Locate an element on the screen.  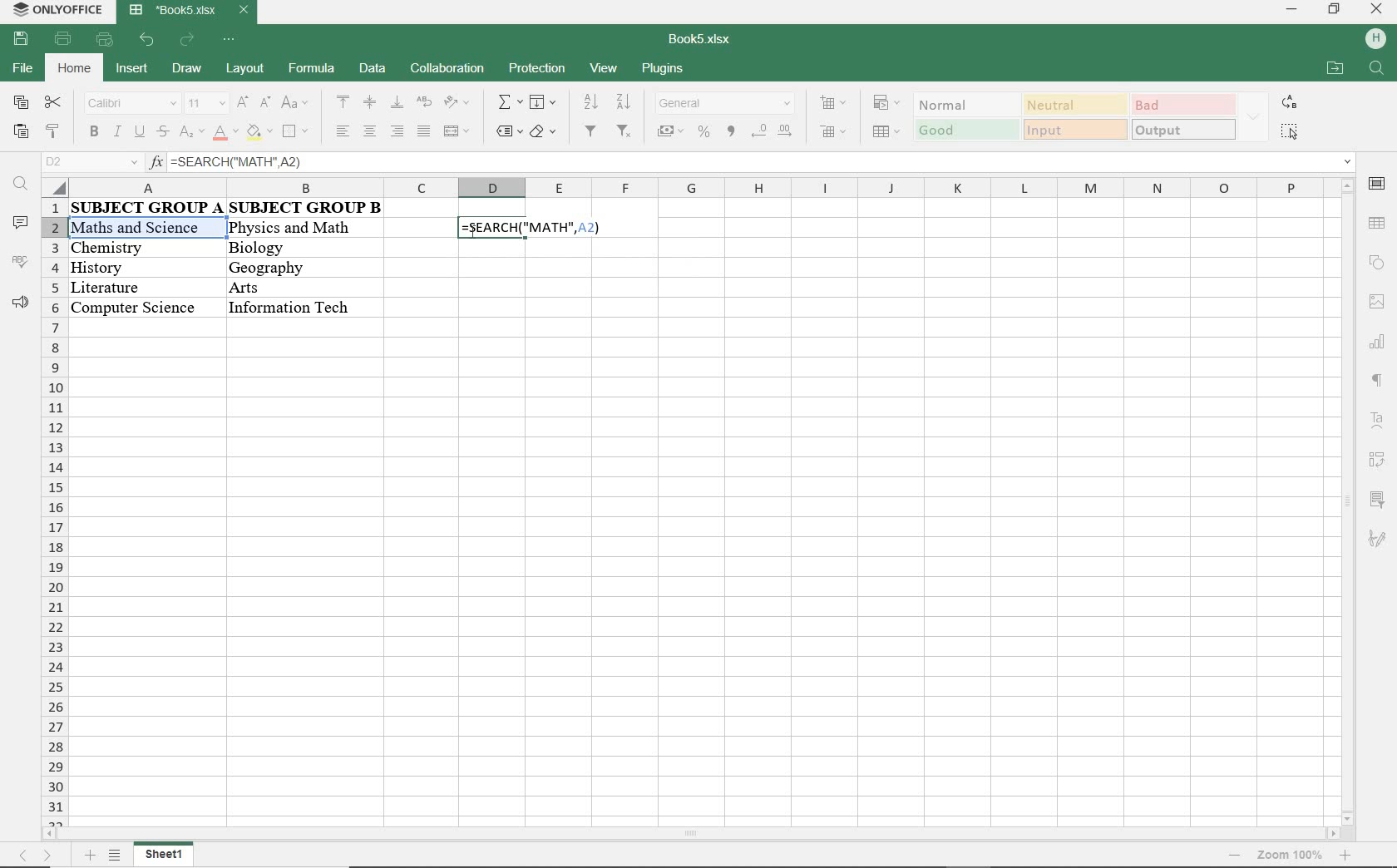
change decimal is located at coordinates (771, 131).